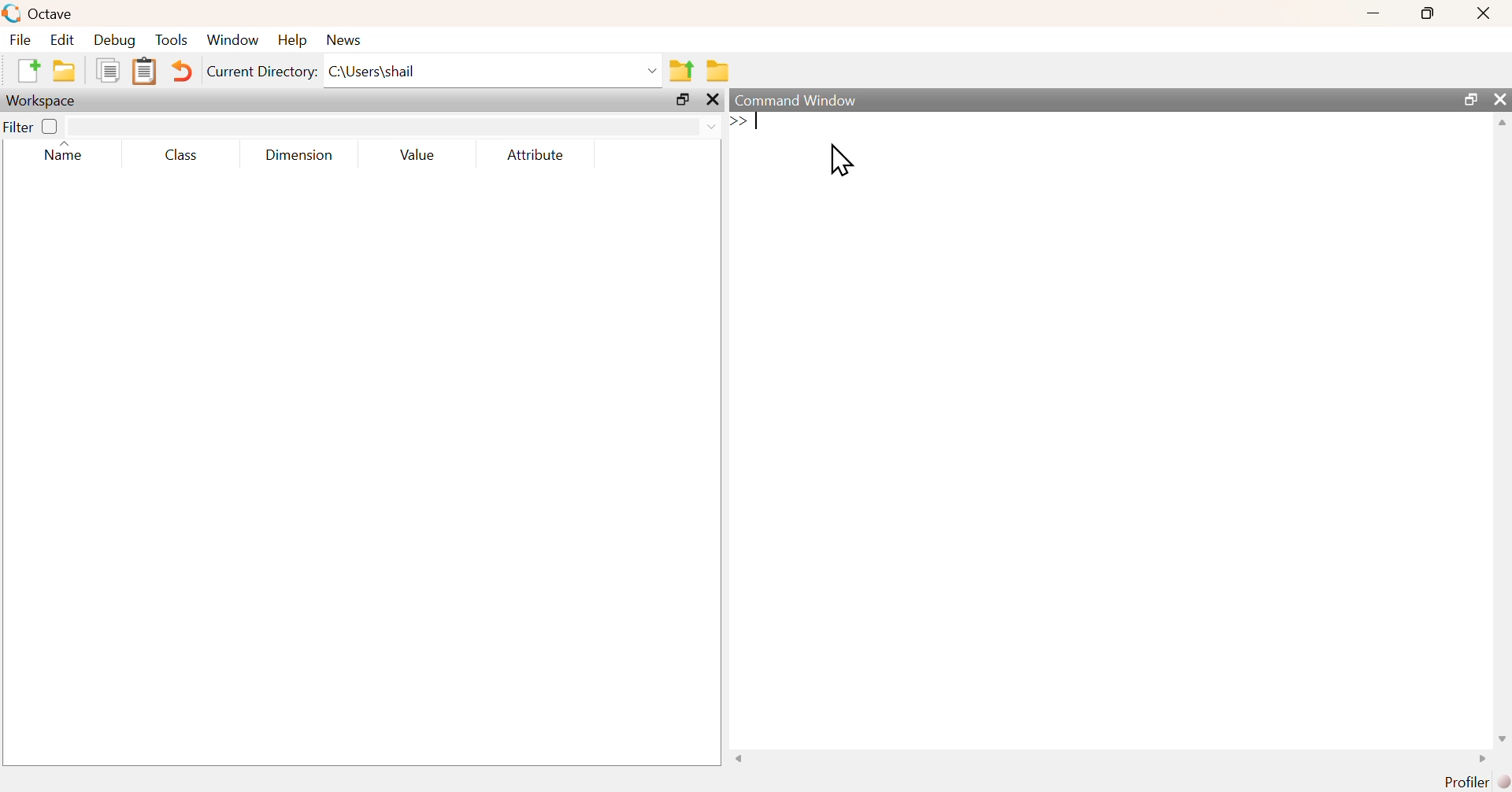 The height and width of the screenshot is (792, 1512). I want to click on Minimize, so click(1374, 13).